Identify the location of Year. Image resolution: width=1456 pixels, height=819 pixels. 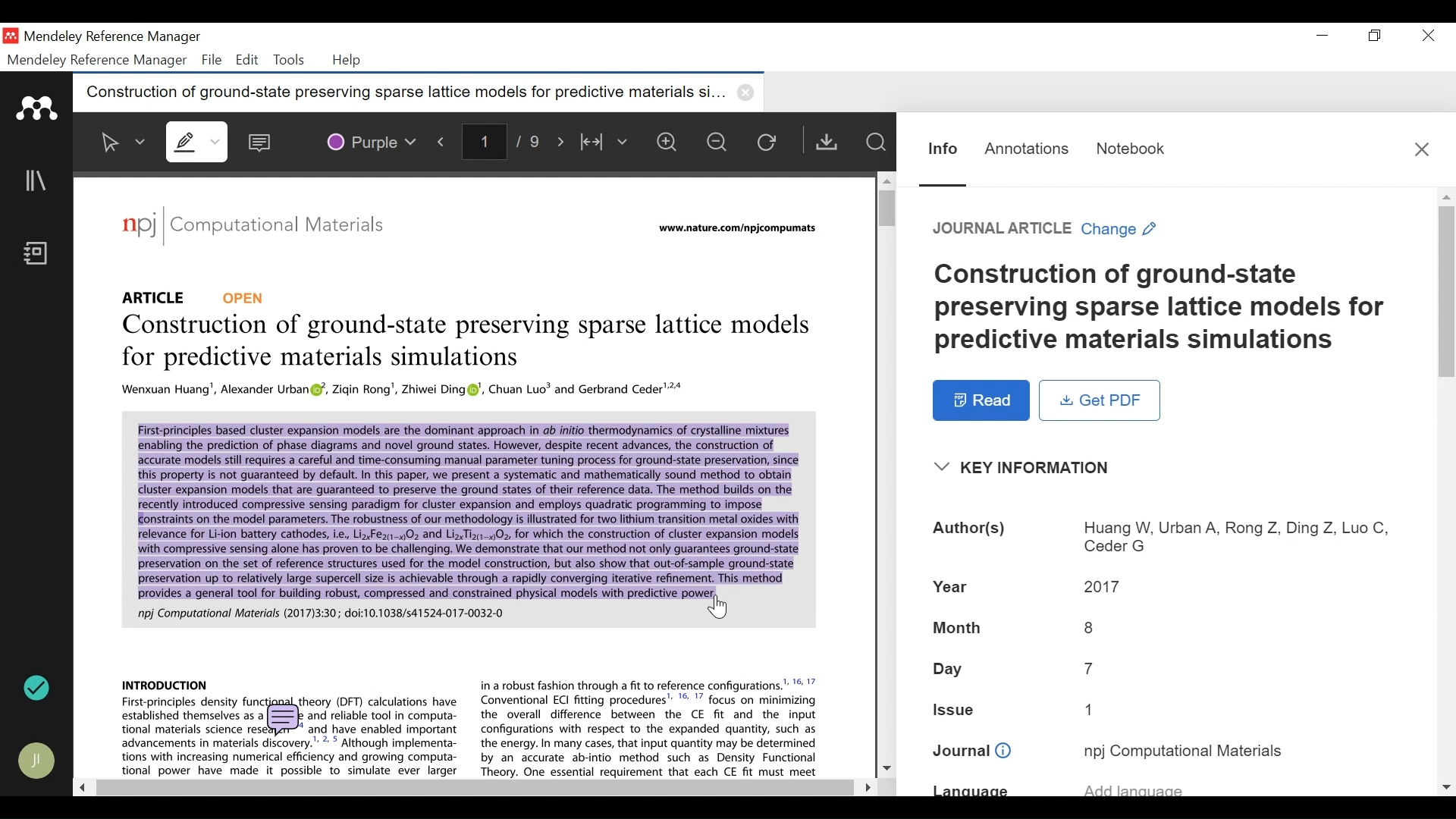
(1103, 585).